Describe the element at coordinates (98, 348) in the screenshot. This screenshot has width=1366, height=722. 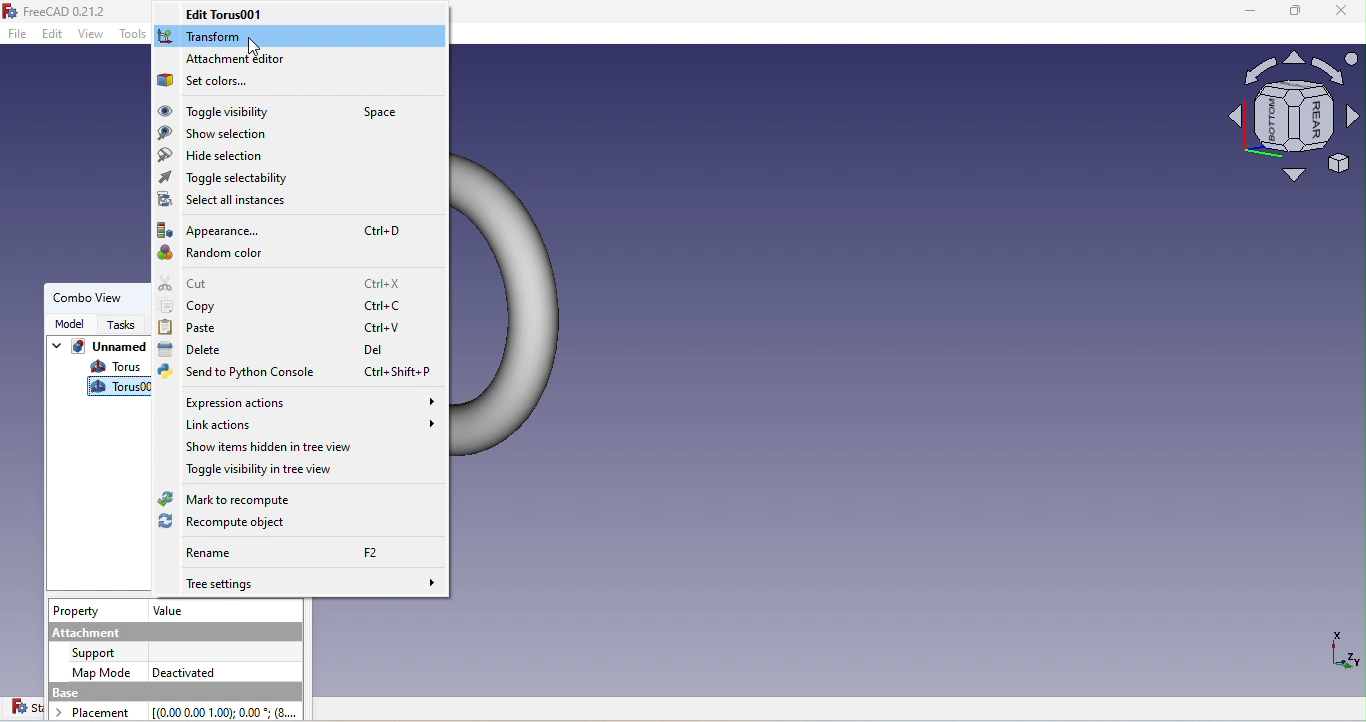
I see `Unnamed` at that location.